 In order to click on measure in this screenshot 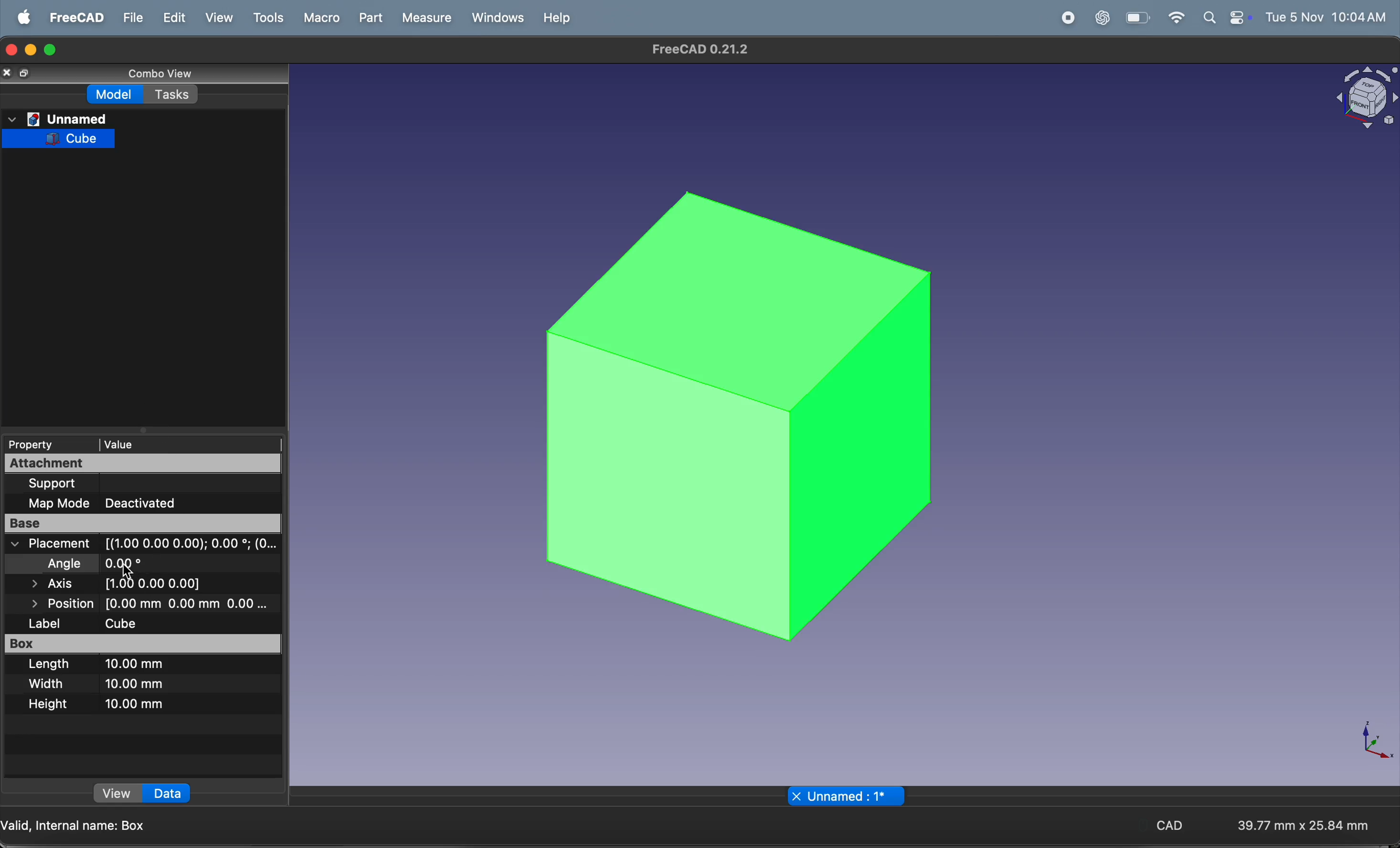, I will do `click(429, 18)`.